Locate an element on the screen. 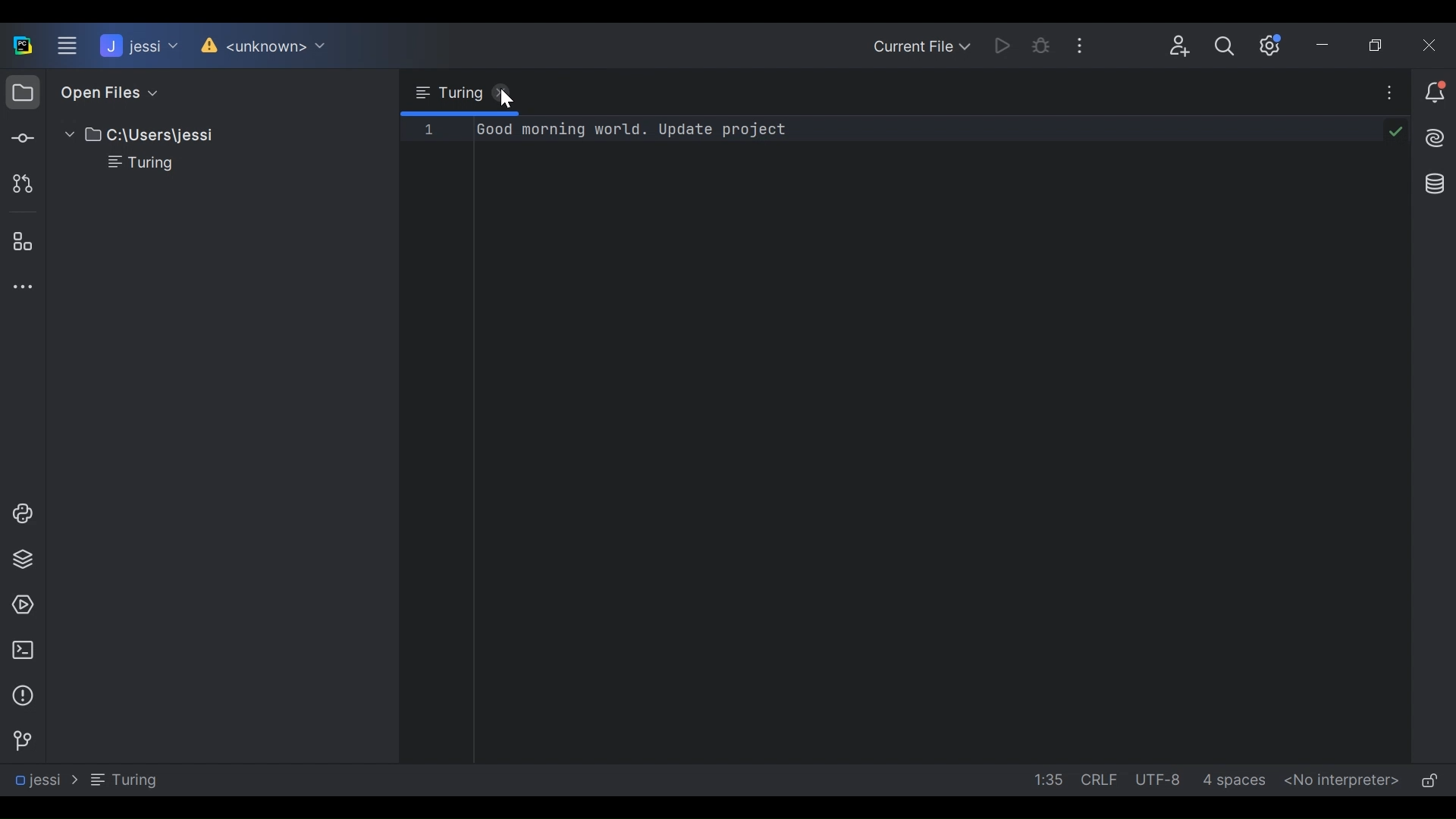 Image resolution: width=1456 pixels, height=819 pixels. Python Packages is located at coordinates (21, 560).